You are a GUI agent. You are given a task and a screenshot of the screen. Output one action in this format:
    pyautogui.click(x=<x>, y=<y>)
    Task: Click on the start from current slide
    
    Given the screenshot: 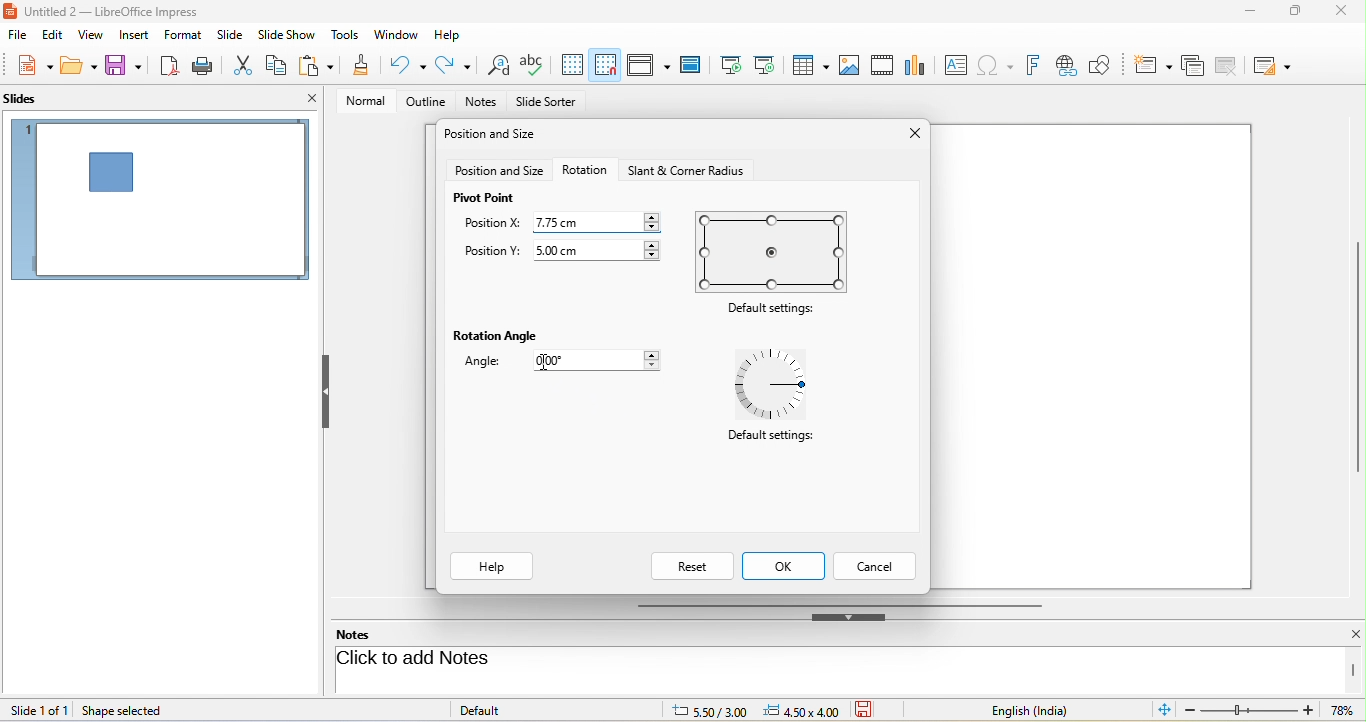 What is the action you would take?
    pyautogui.click(x=770, y=65)
    